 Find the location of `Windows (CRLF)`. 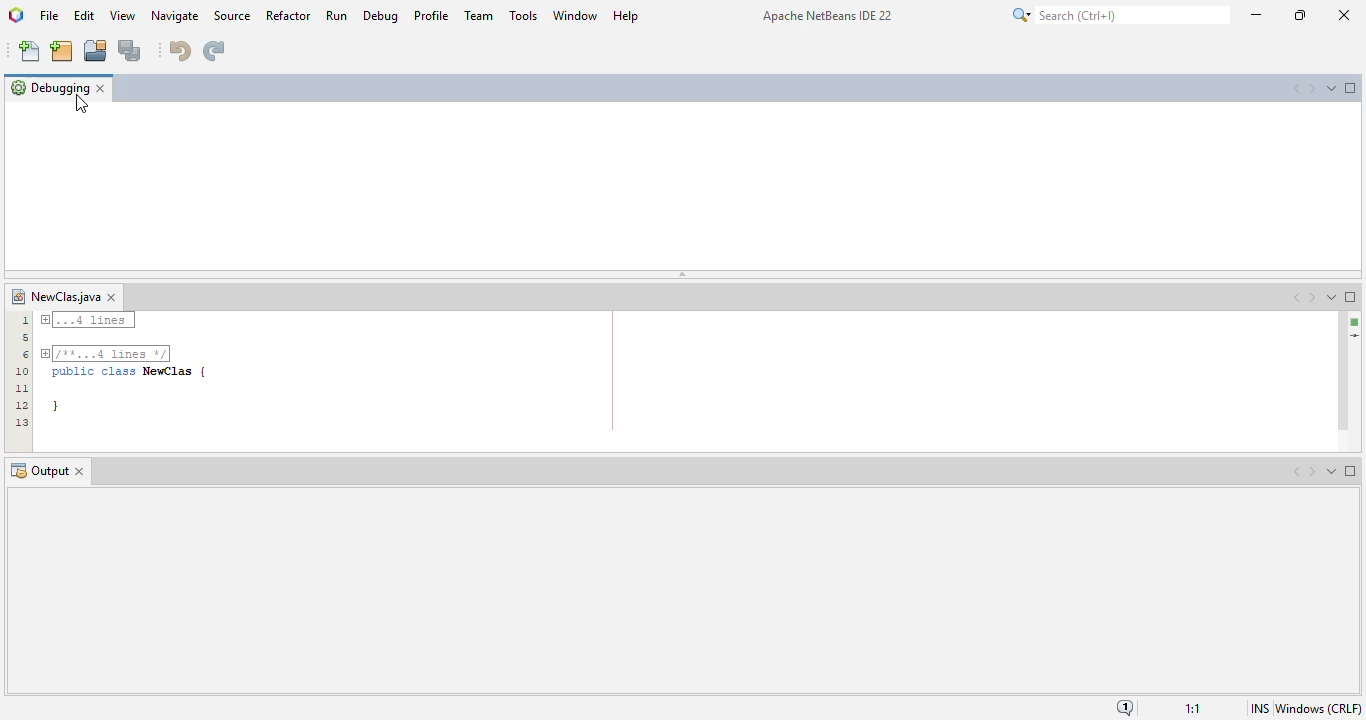

Windows (CRLF) is located at coordinates (1319, 706).